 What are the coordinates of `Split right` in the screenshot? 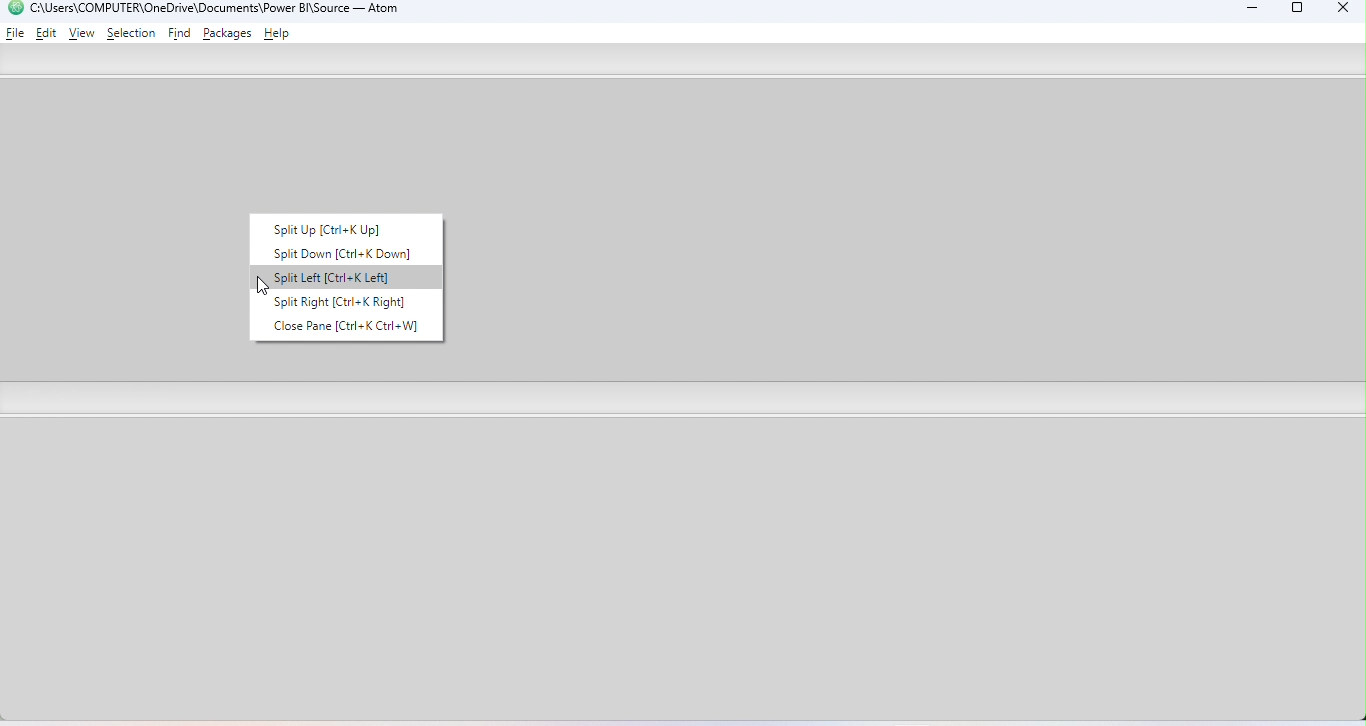 It's located at (340, 300).